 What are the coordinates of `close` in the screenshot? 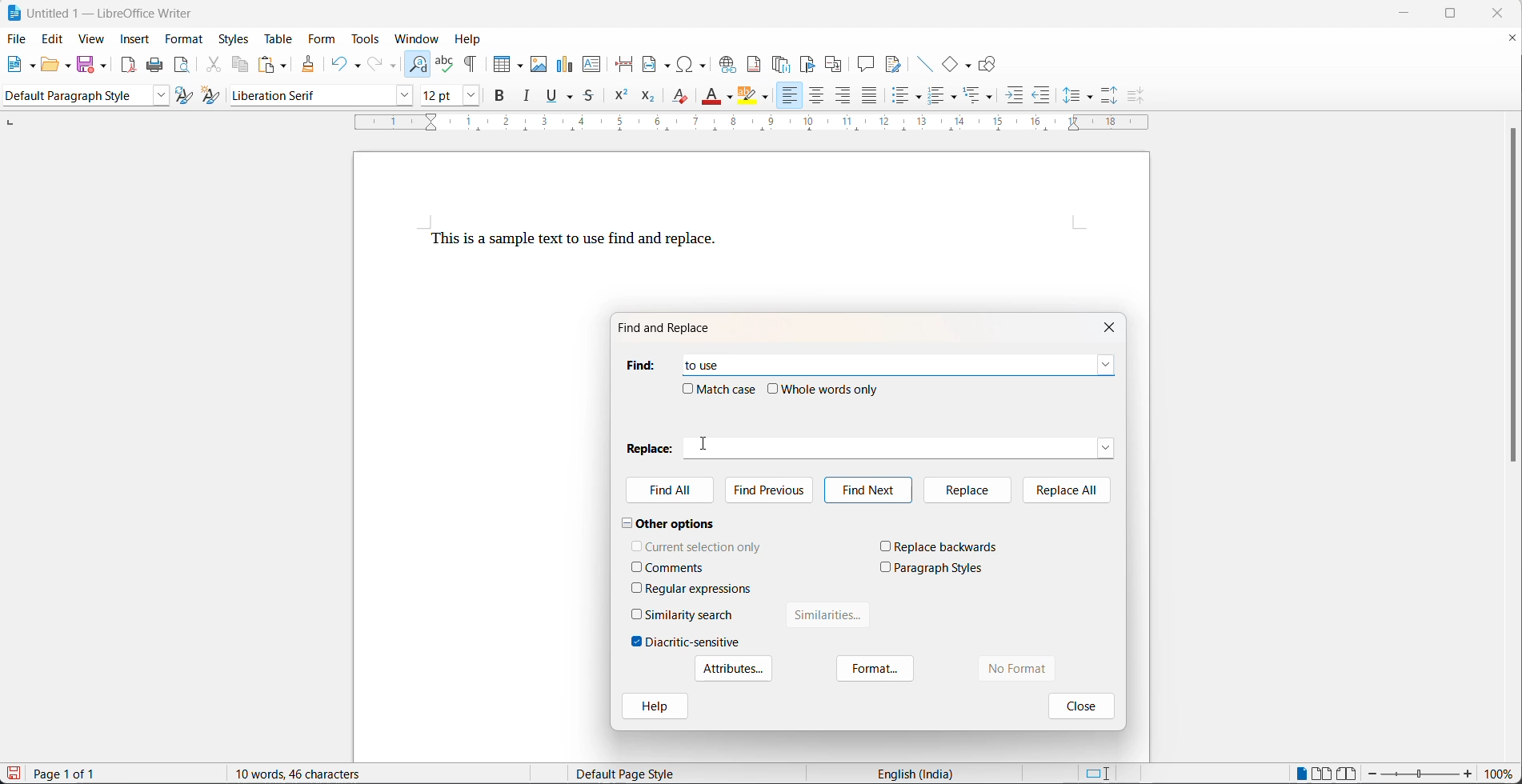 It's located at (1079, 705).